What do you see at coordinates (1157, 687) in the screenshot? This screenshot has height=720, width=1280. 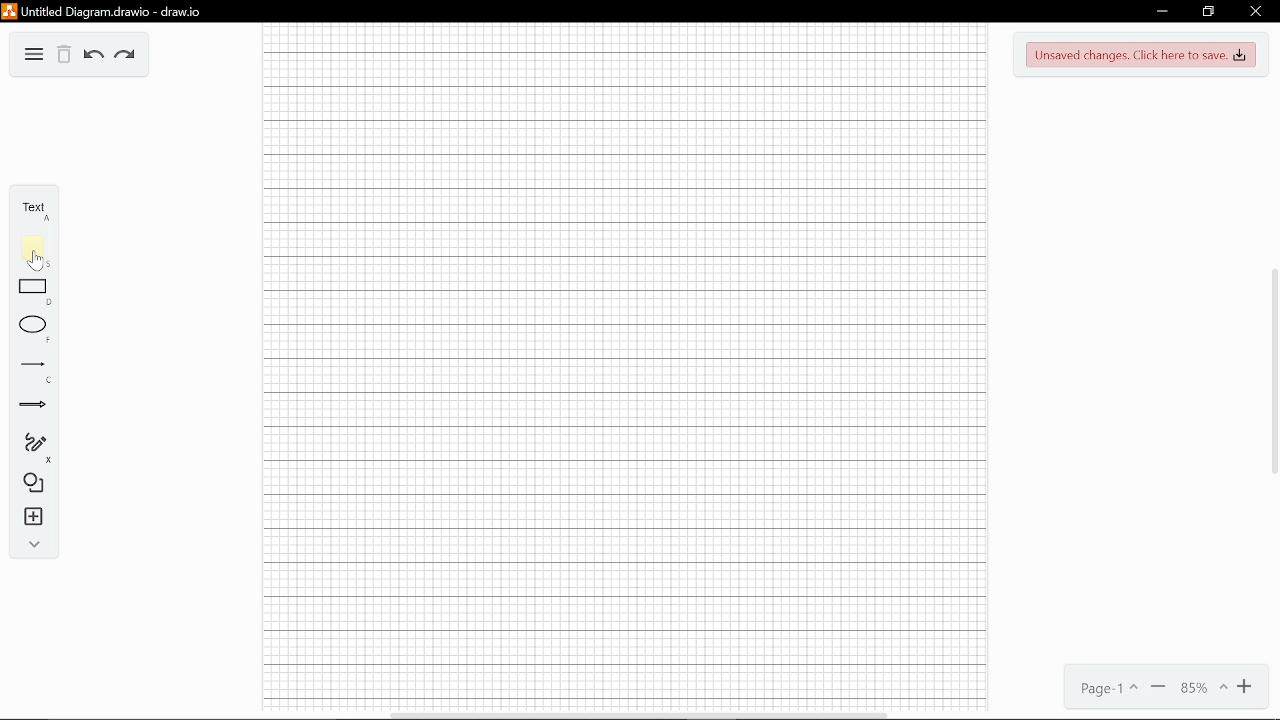 I see `Zoom out` at bounding box center [1157, 687].